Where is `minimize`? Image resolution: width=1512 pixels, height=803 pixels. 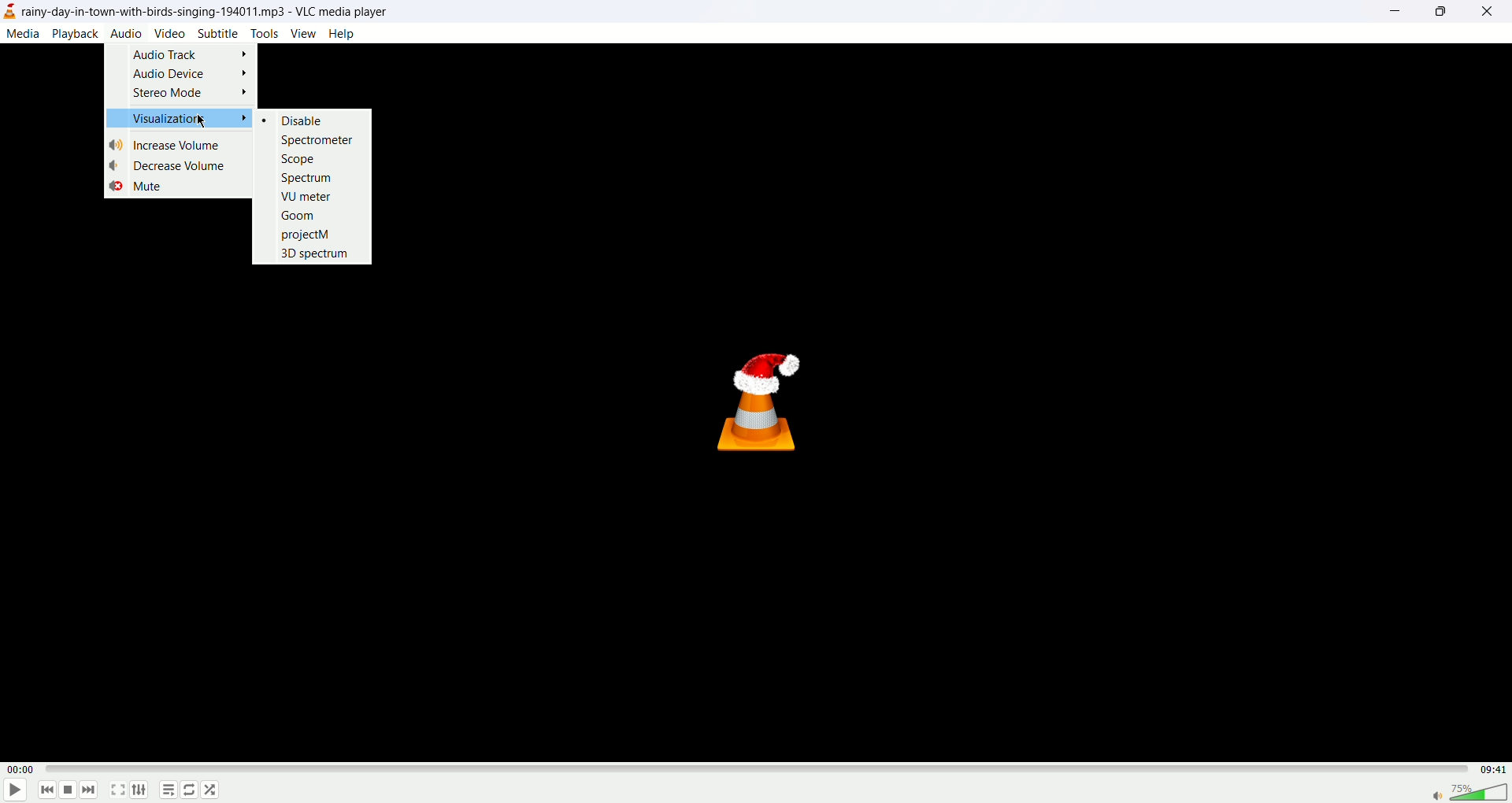 minimize is located at coordinates (1395, 13).